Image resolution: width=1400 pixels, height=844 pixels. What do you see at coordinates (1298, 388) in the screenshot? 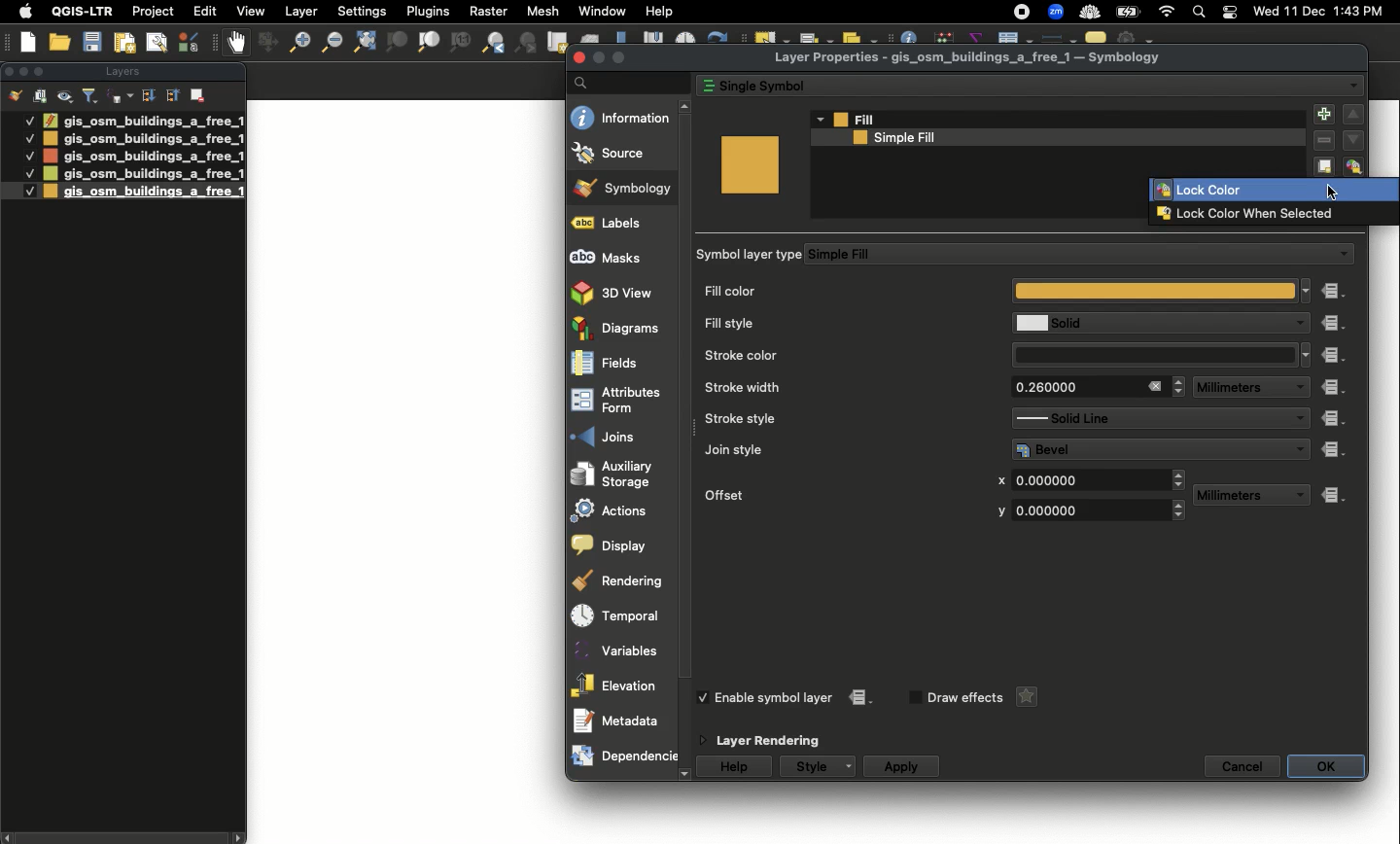
I see `Drop down` at bounding box center [1298, 388].